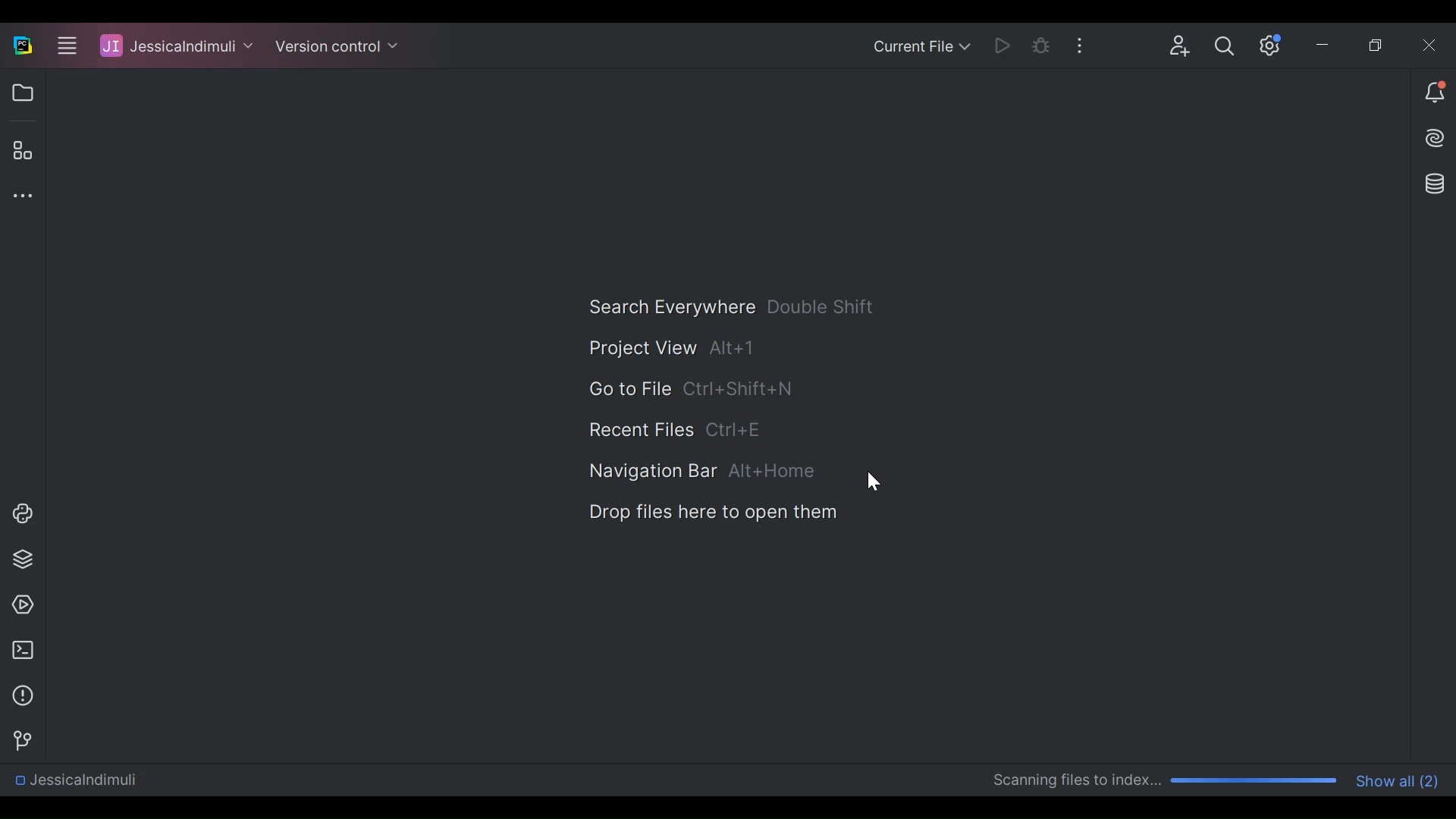  What do you see at coordinates (1321, 43) in the screenshot?
I see `Minimize` at bounding box center [1321, 43].